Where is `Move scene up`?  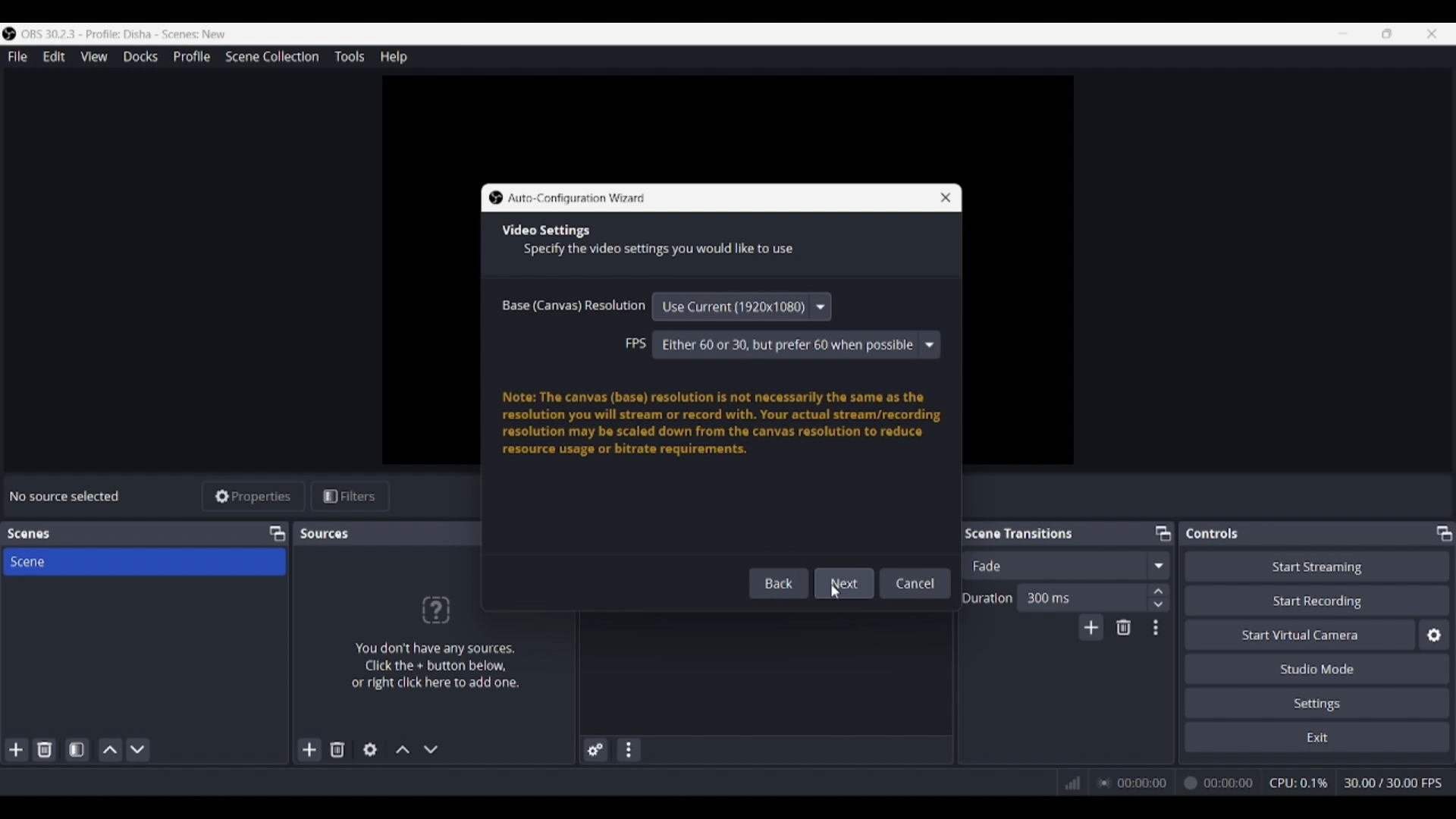
Move scene up is located at coordinates (111, 750).